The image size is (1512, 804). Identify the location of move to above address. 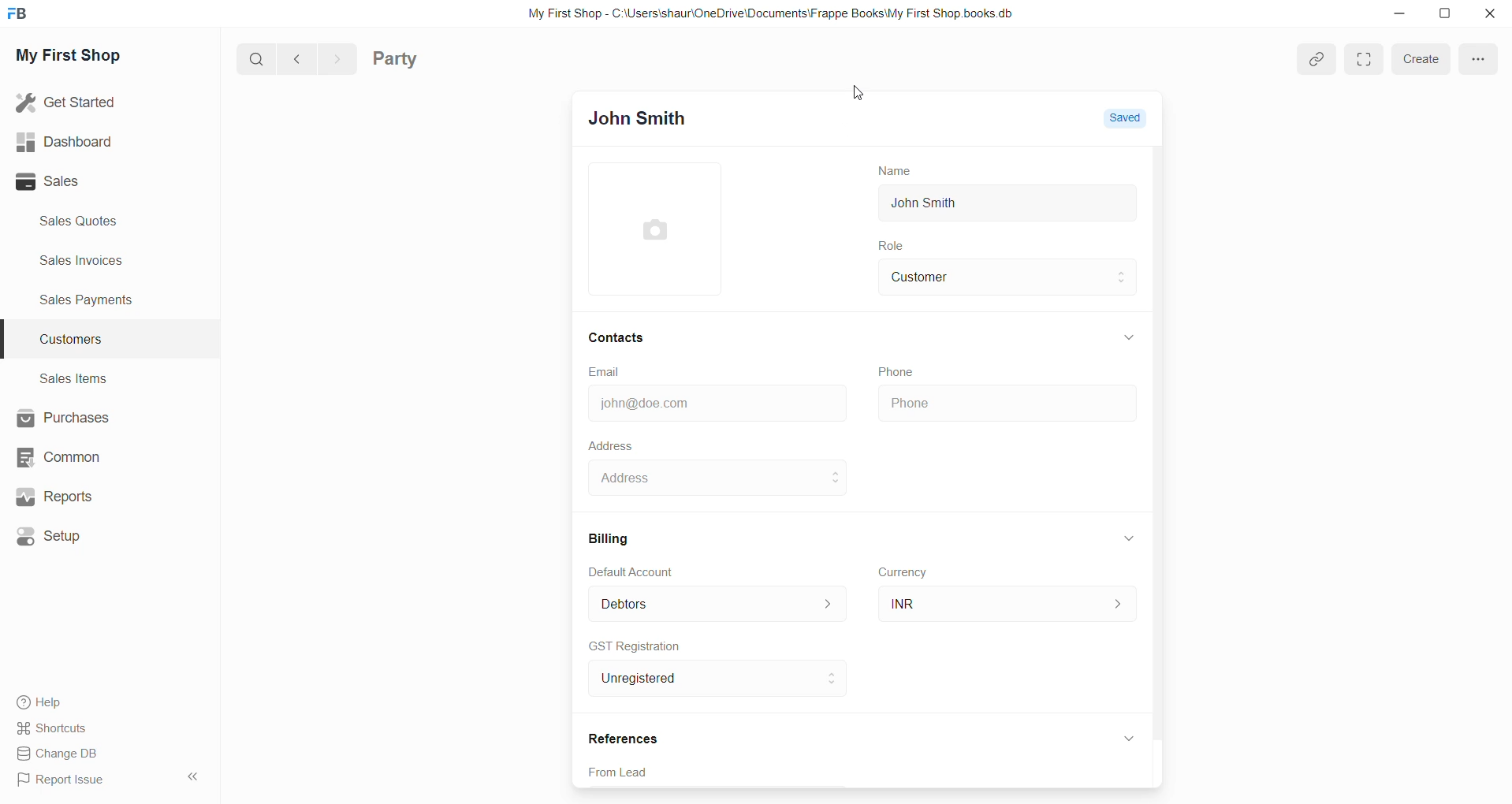
(836, 471).